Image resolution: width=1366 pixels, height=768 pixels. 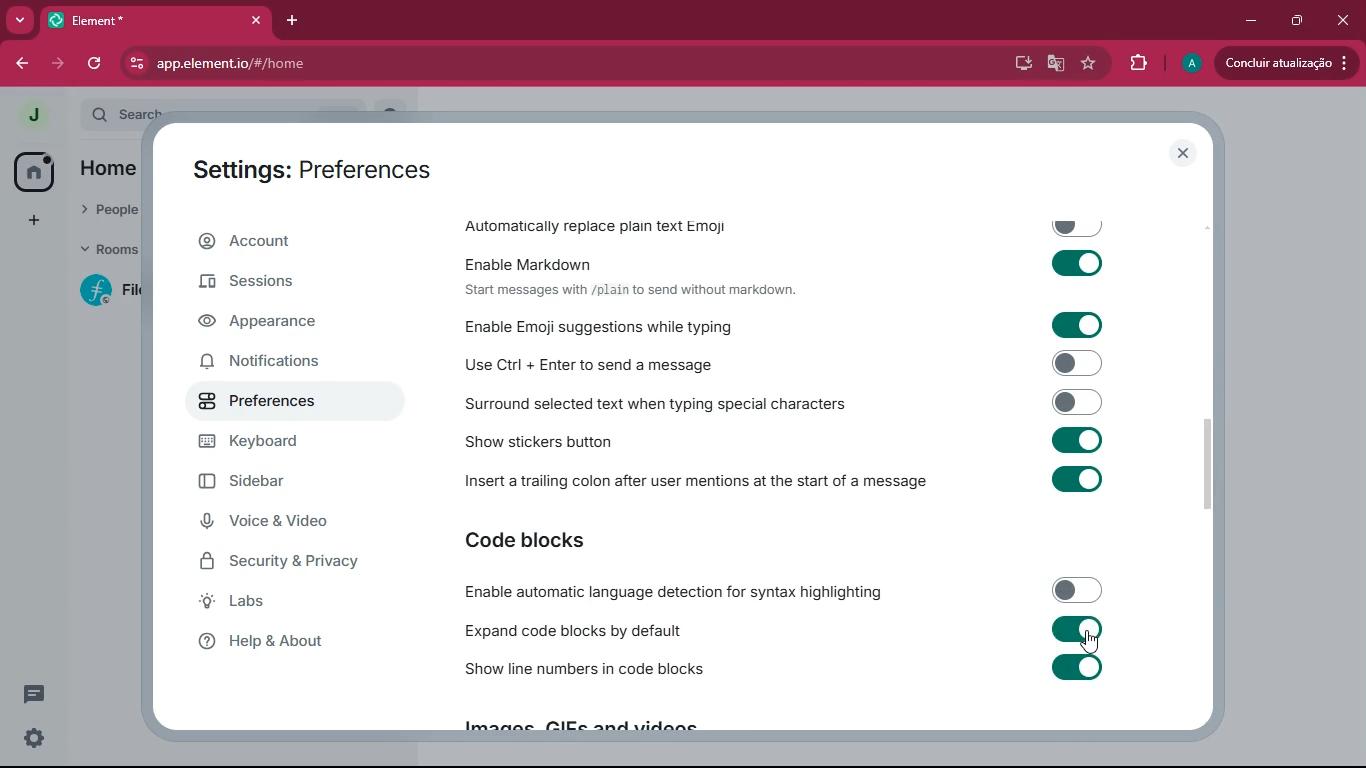 What do you see at coordinates (32, 116) in the screenshot?
I see `profile picture` at bounding box center [32, 116].